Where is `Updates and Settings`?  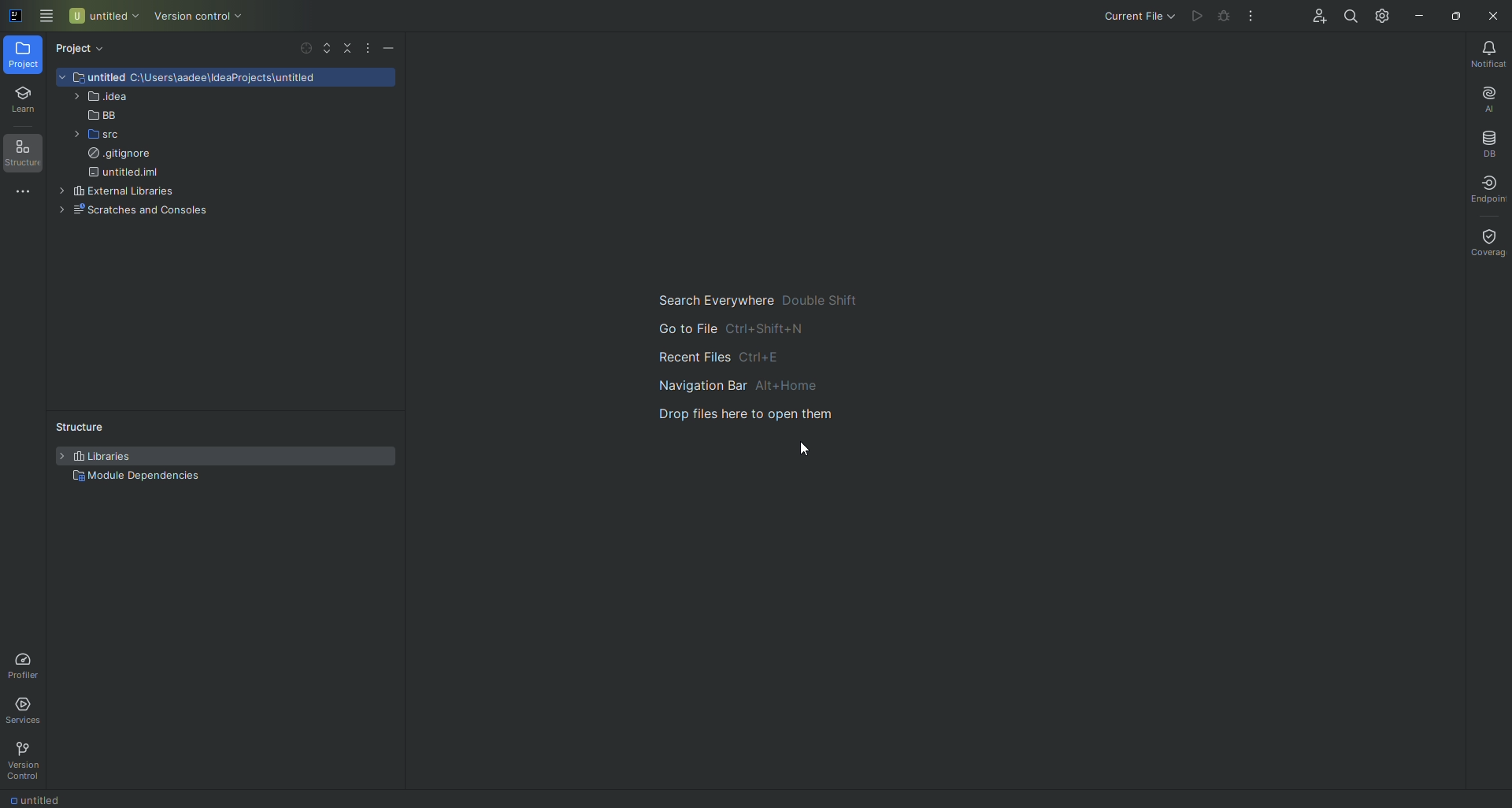 Updates and Settings is located at coordinates (1381, 17).